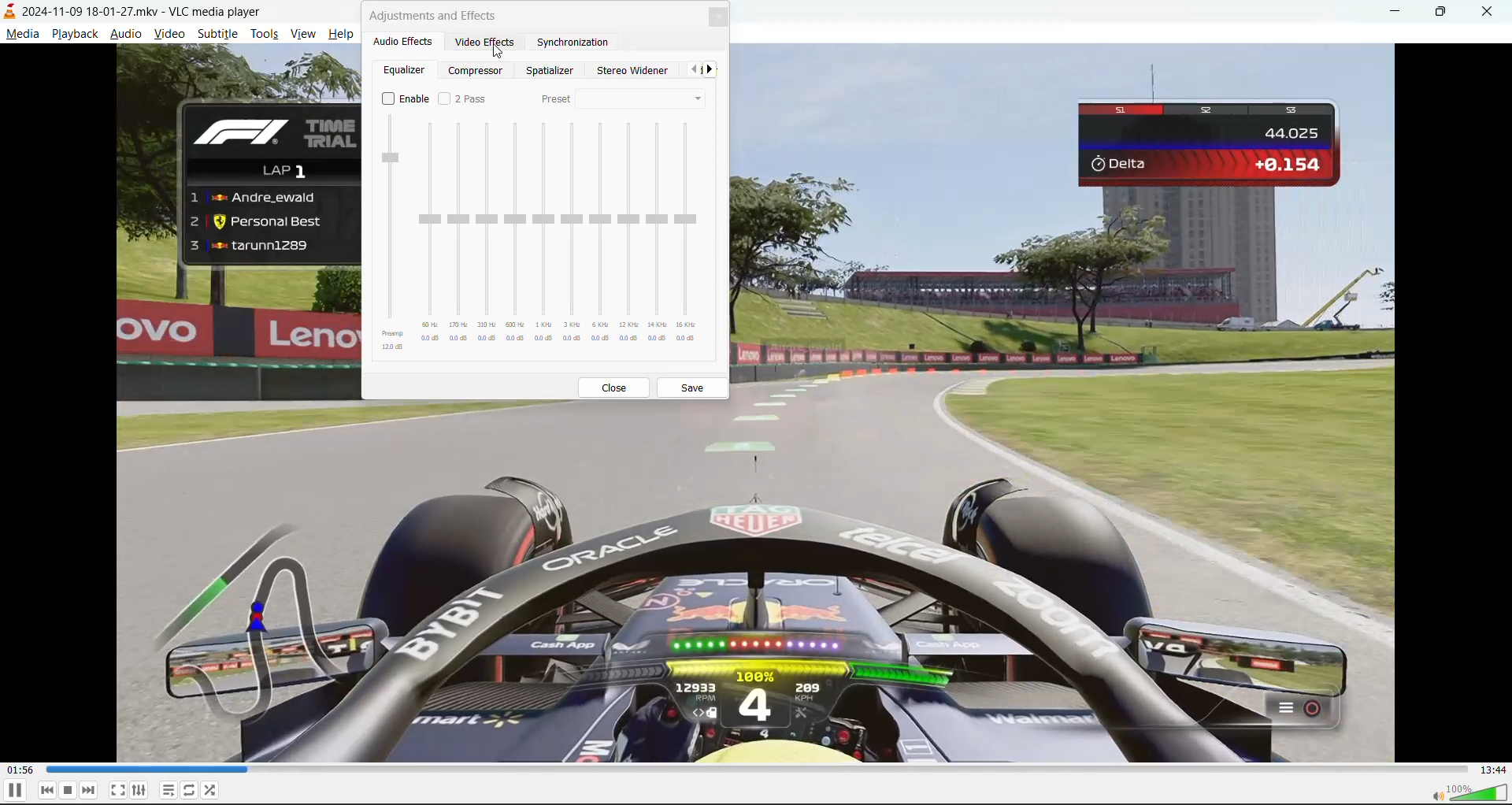  Describe the element at coordinates (404, 43) in the screenshot. I see `audio effects` at that location.